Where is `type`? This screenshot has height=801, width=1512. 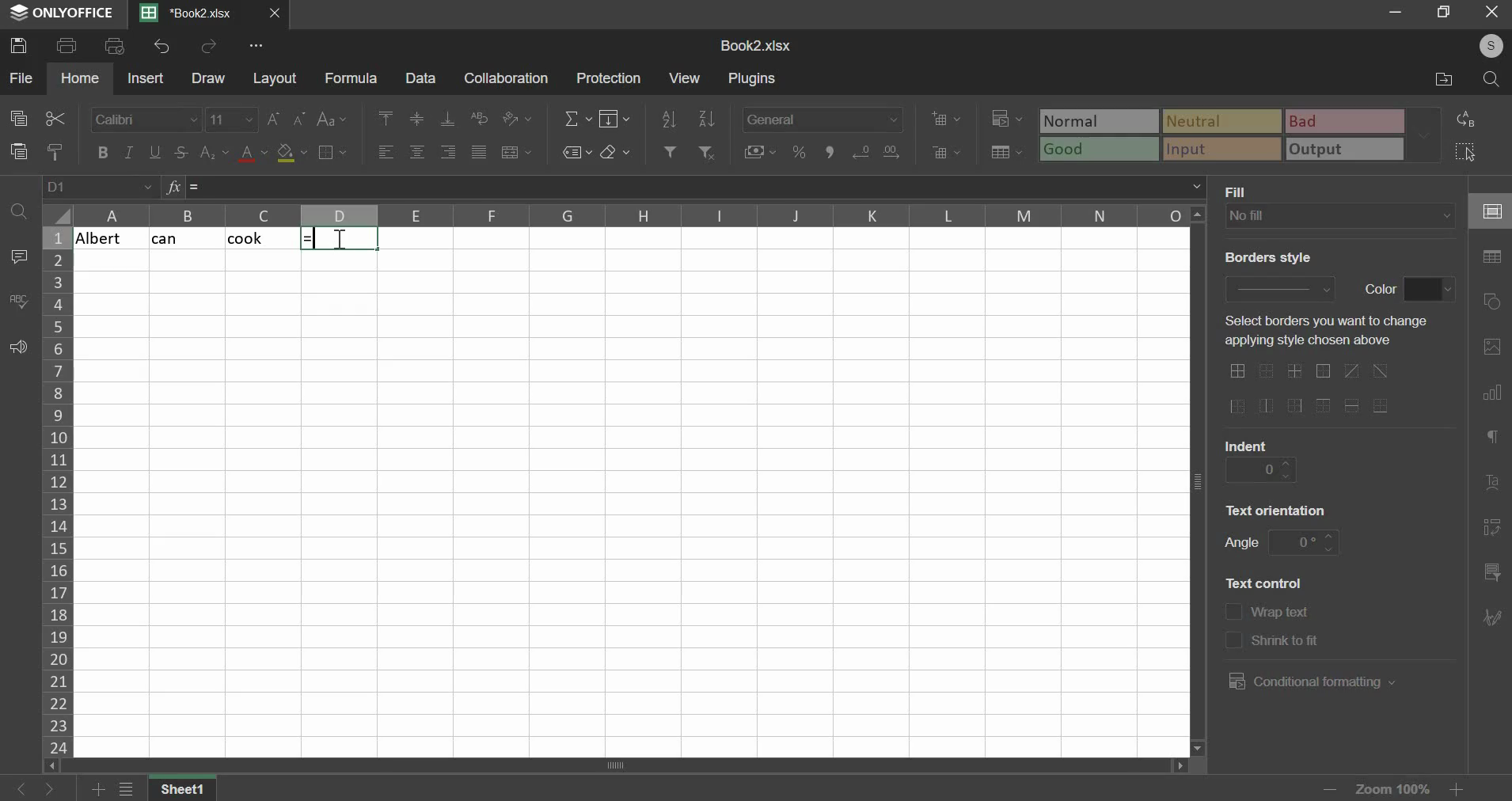
type is located at coordinates (1241, 135).